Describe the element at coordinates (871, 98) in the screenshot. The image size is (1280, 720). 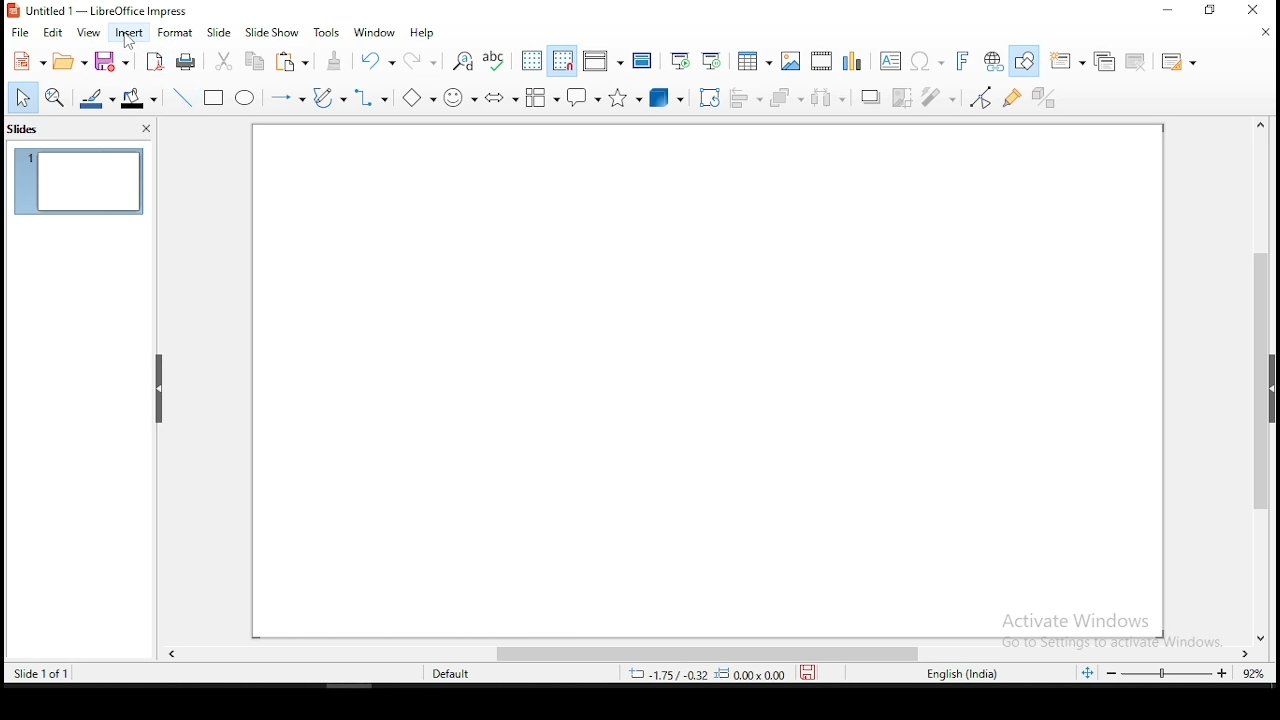
I see `shadow` at that location.